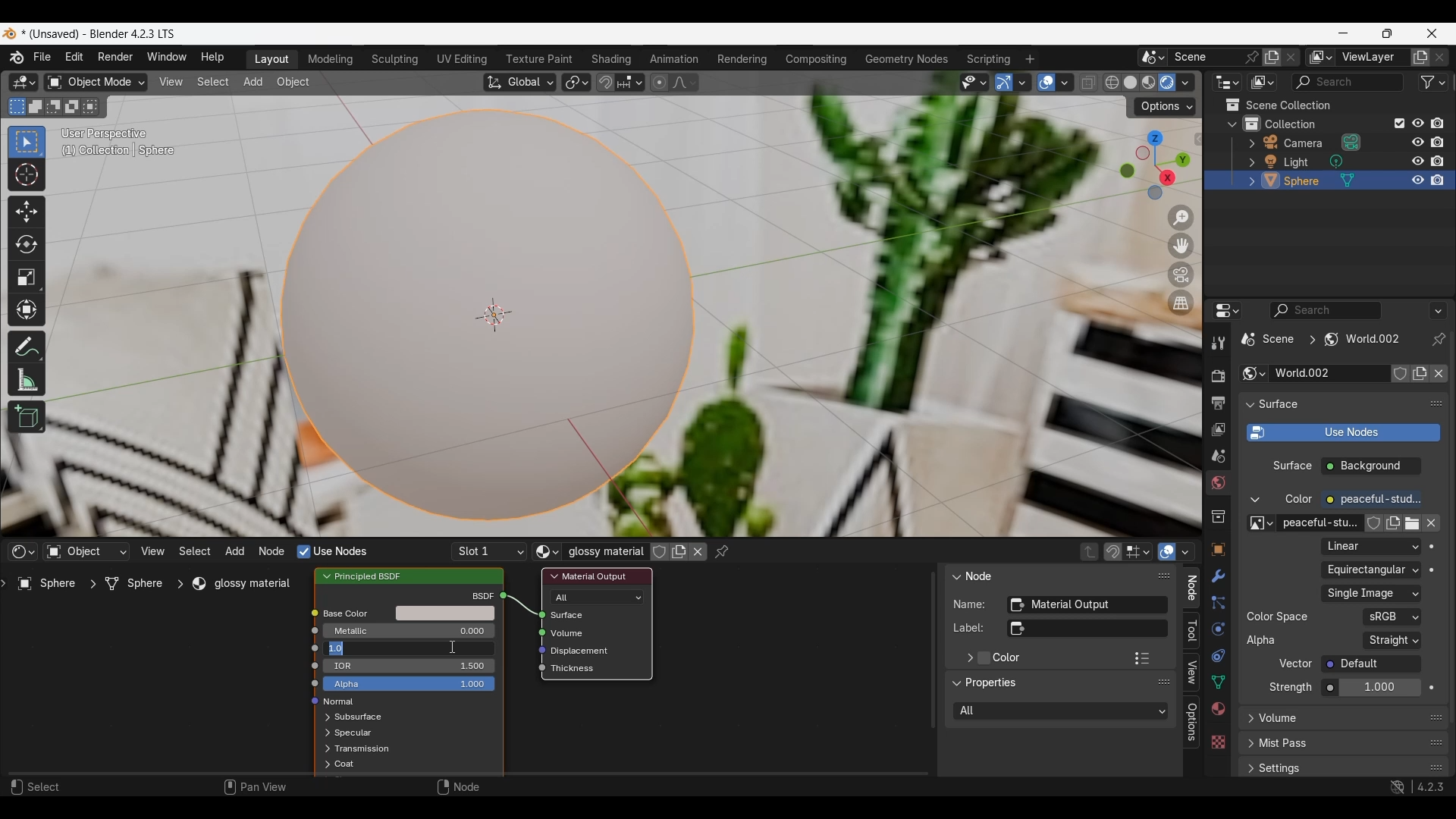 The height and width of the screenshot is (819, 1456). I want to click on light, so click(1299, 162).